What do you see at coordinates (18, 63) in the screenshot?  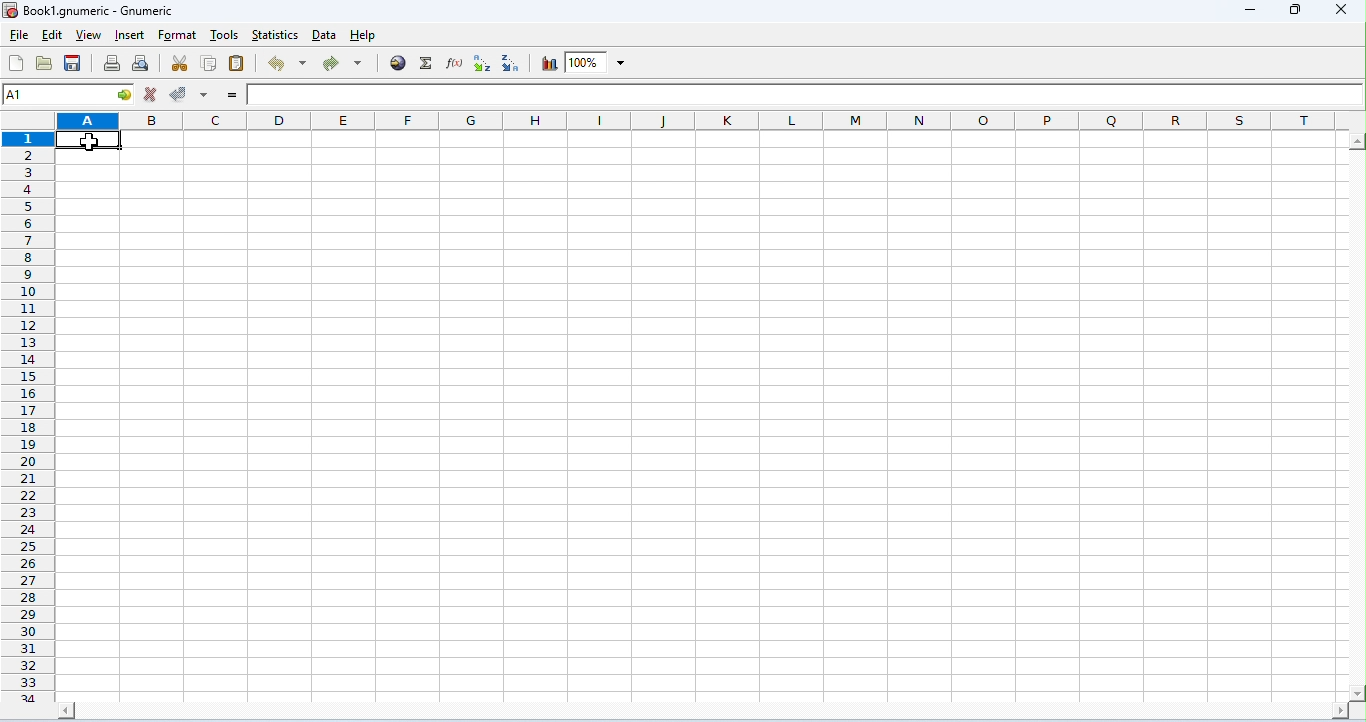 I see `new` at bounding box center [18, 63].